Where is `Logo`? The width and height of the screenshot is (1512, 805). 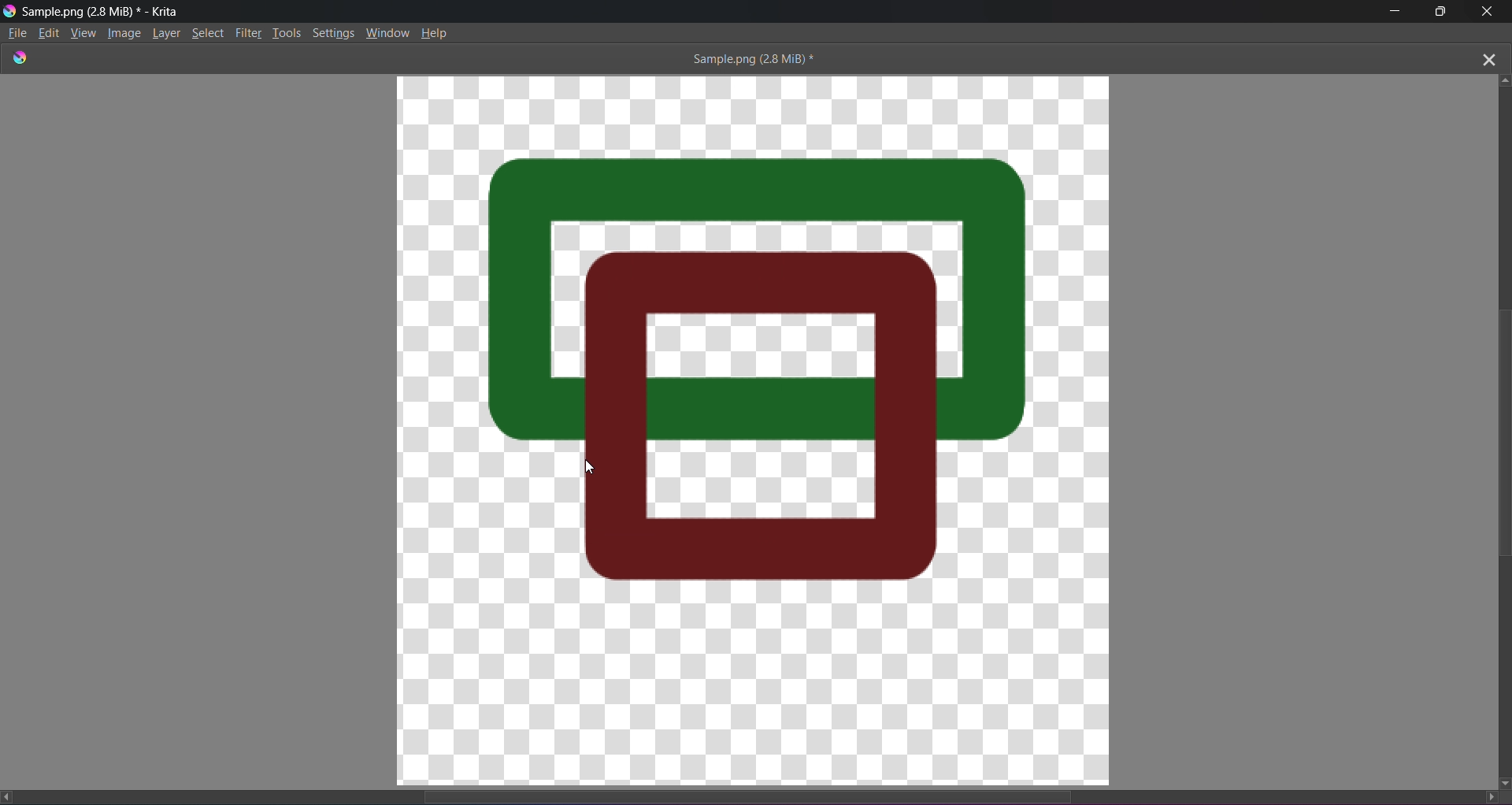 Logo is located at coordinates (9, 10).